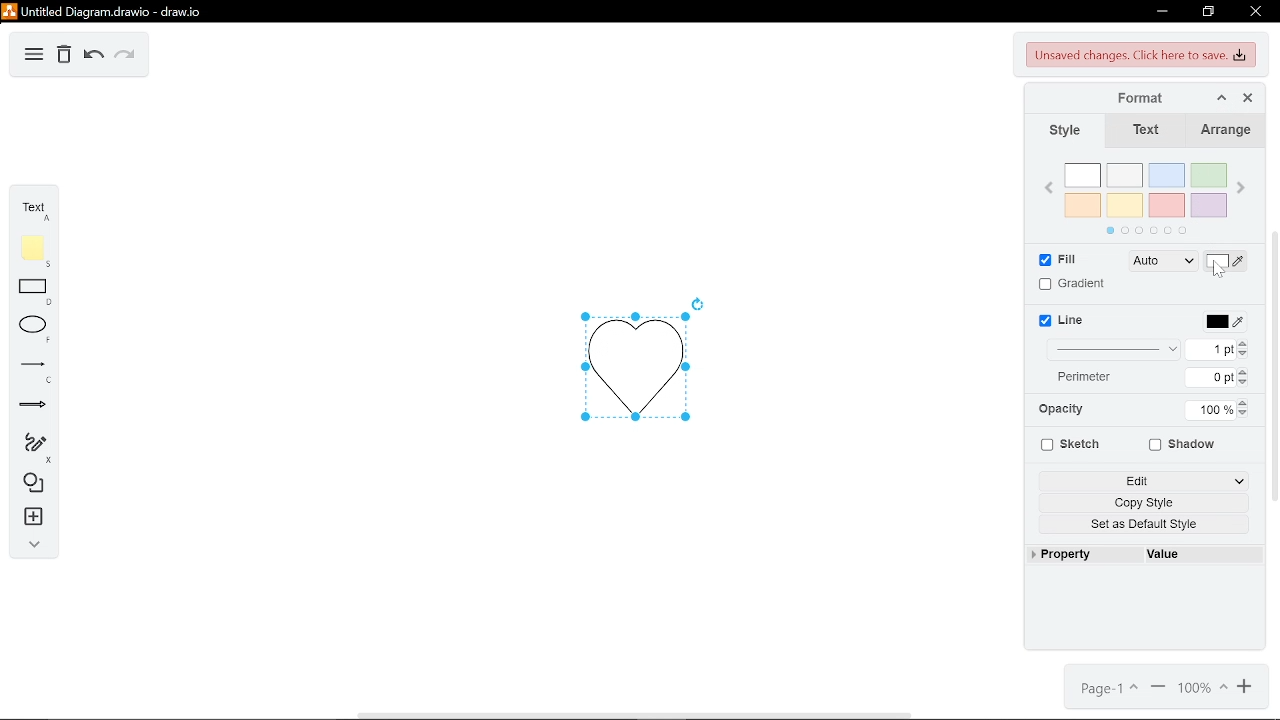  I want to click on lines, so click(32, 370).